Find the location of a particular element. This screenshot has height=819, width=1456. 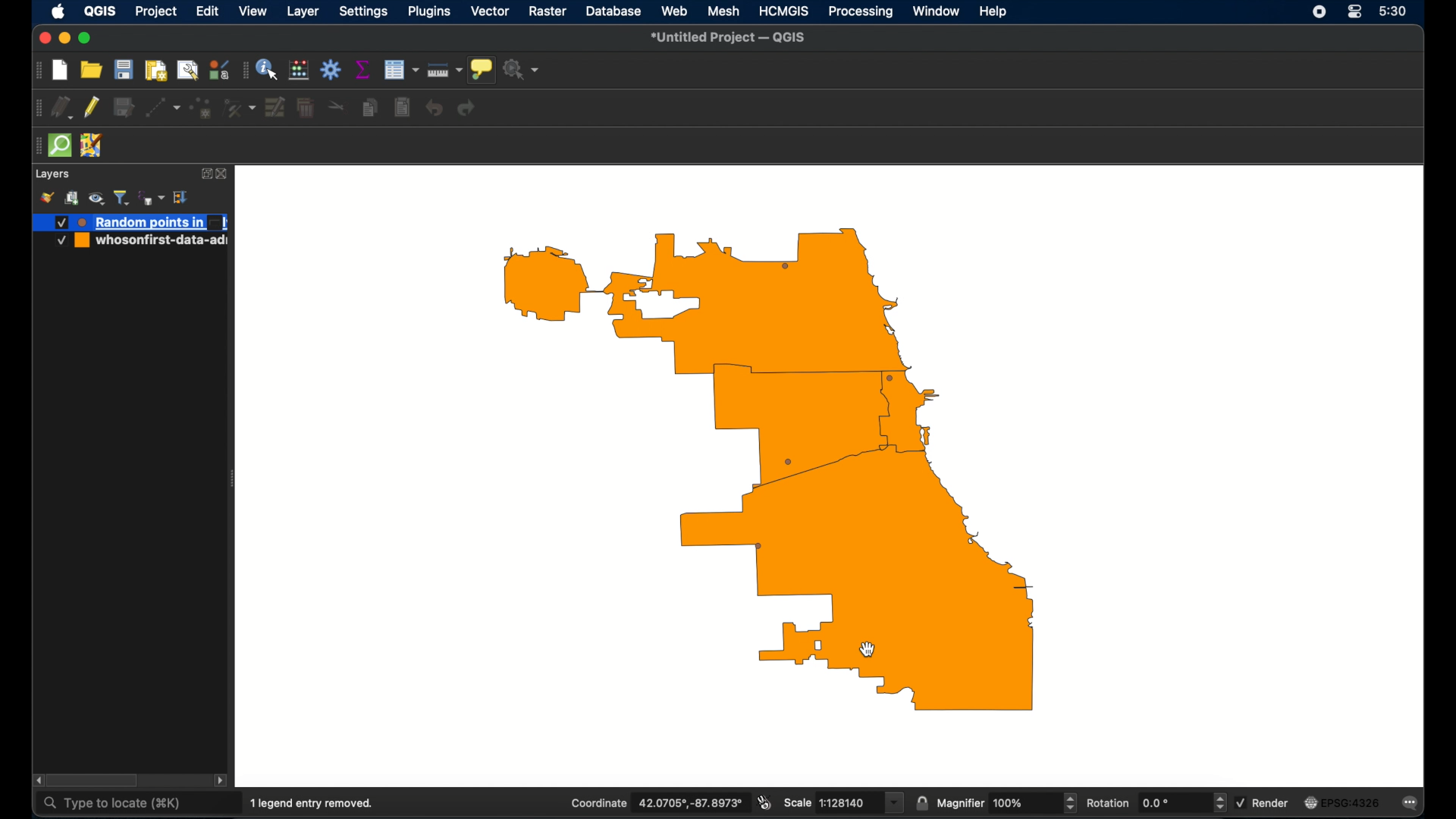

render is located at coordinates (1262, 803).